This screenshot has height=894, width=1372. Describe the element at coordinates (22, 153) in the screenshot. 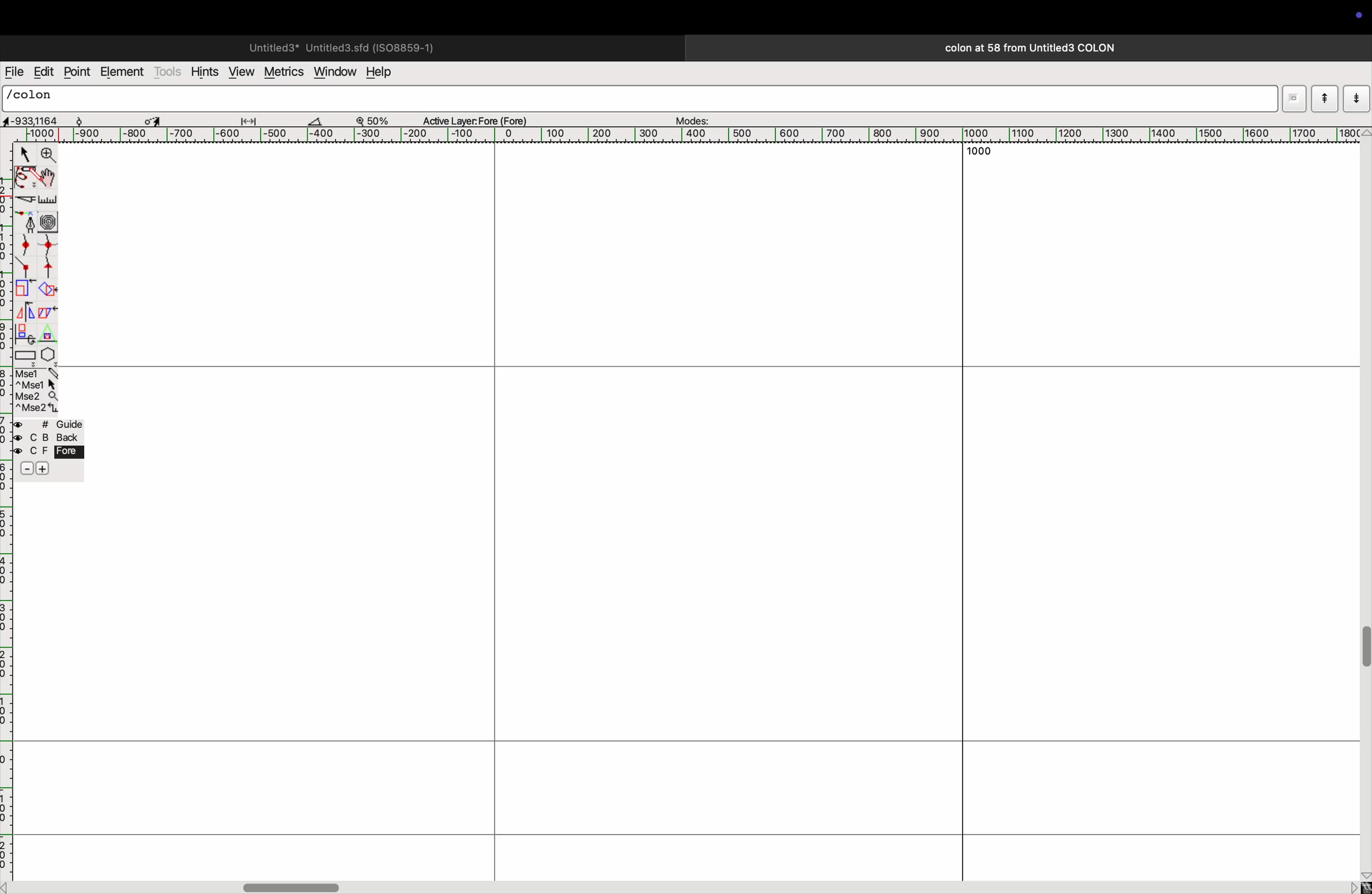

I see `cursor` at that location.